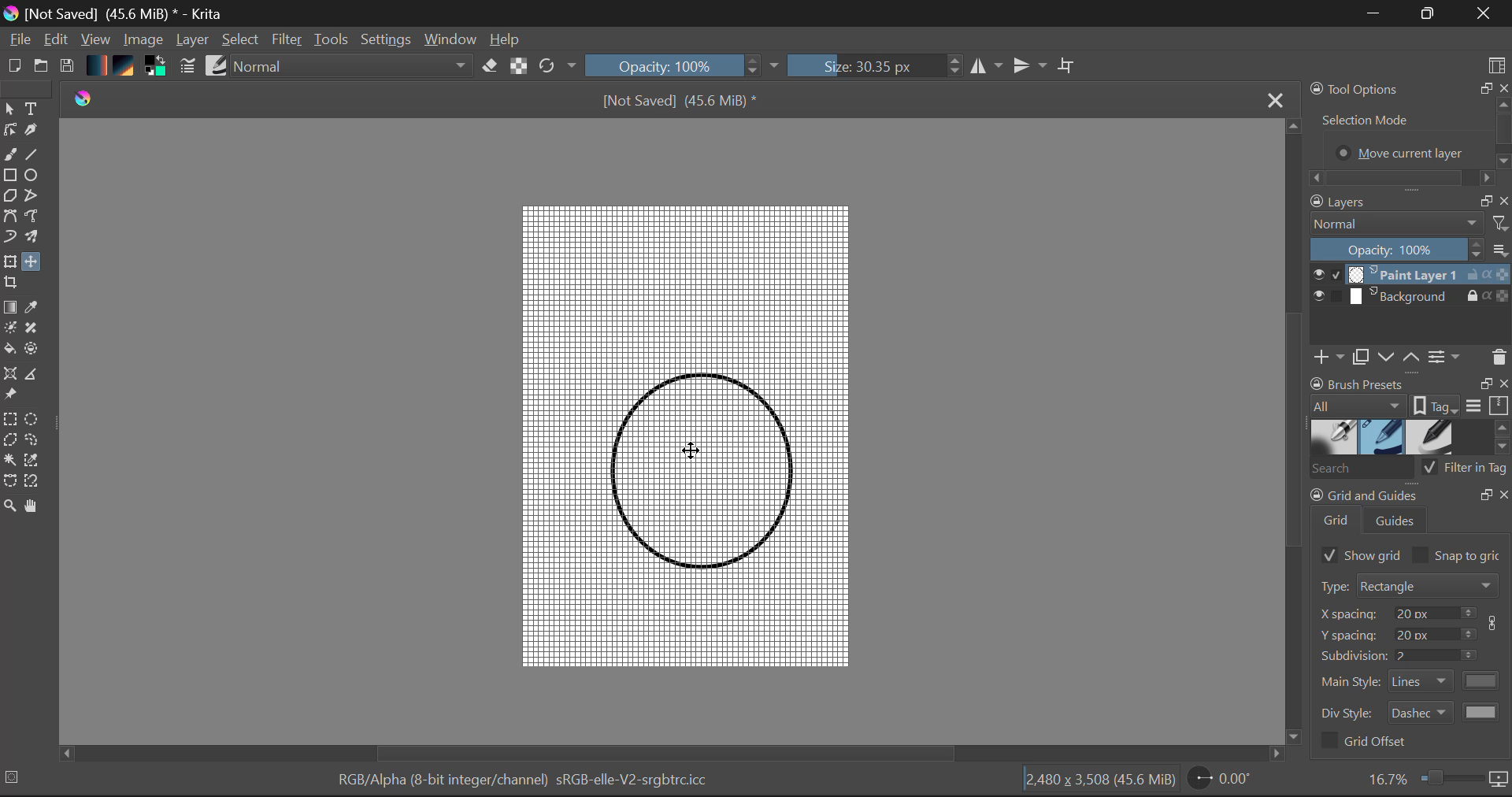  Describe the element at coordinates (11, 419) in the screenshot. I see `Rectangular Selection` at that location.